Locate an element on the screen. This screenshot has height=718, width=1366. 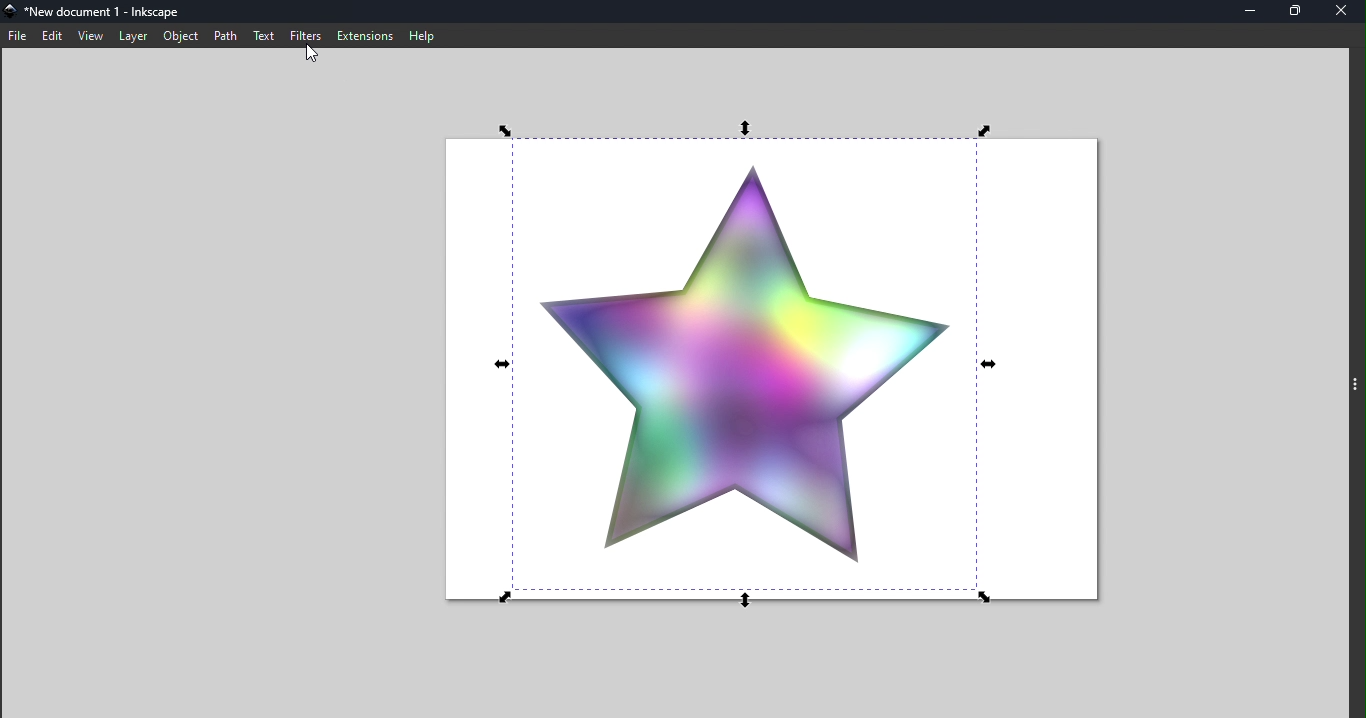
view is located at coordinates (89, 35).